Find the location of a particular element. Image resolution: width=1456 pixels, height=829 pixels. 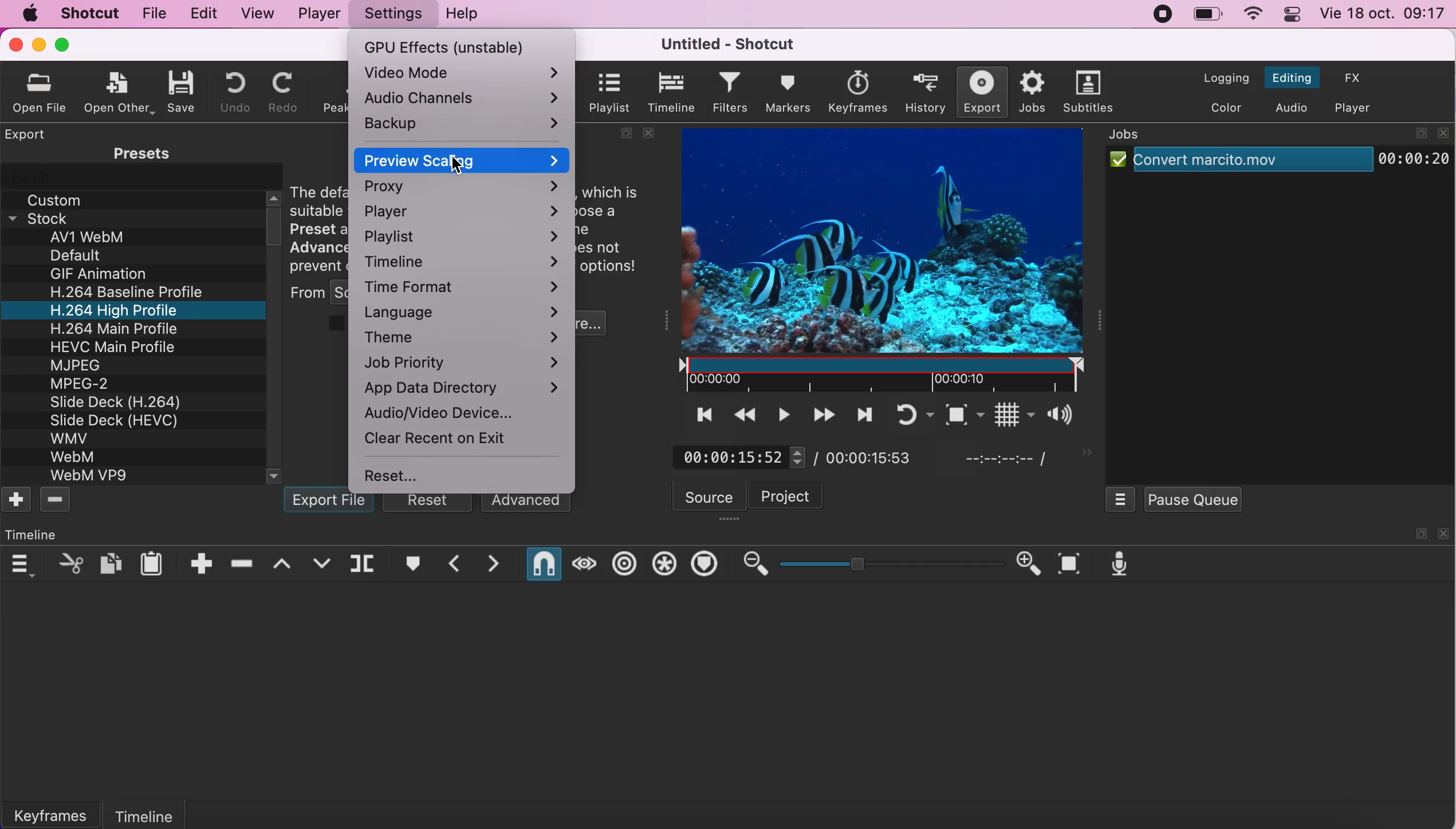

record audio is located at coordinates (1117, 564).